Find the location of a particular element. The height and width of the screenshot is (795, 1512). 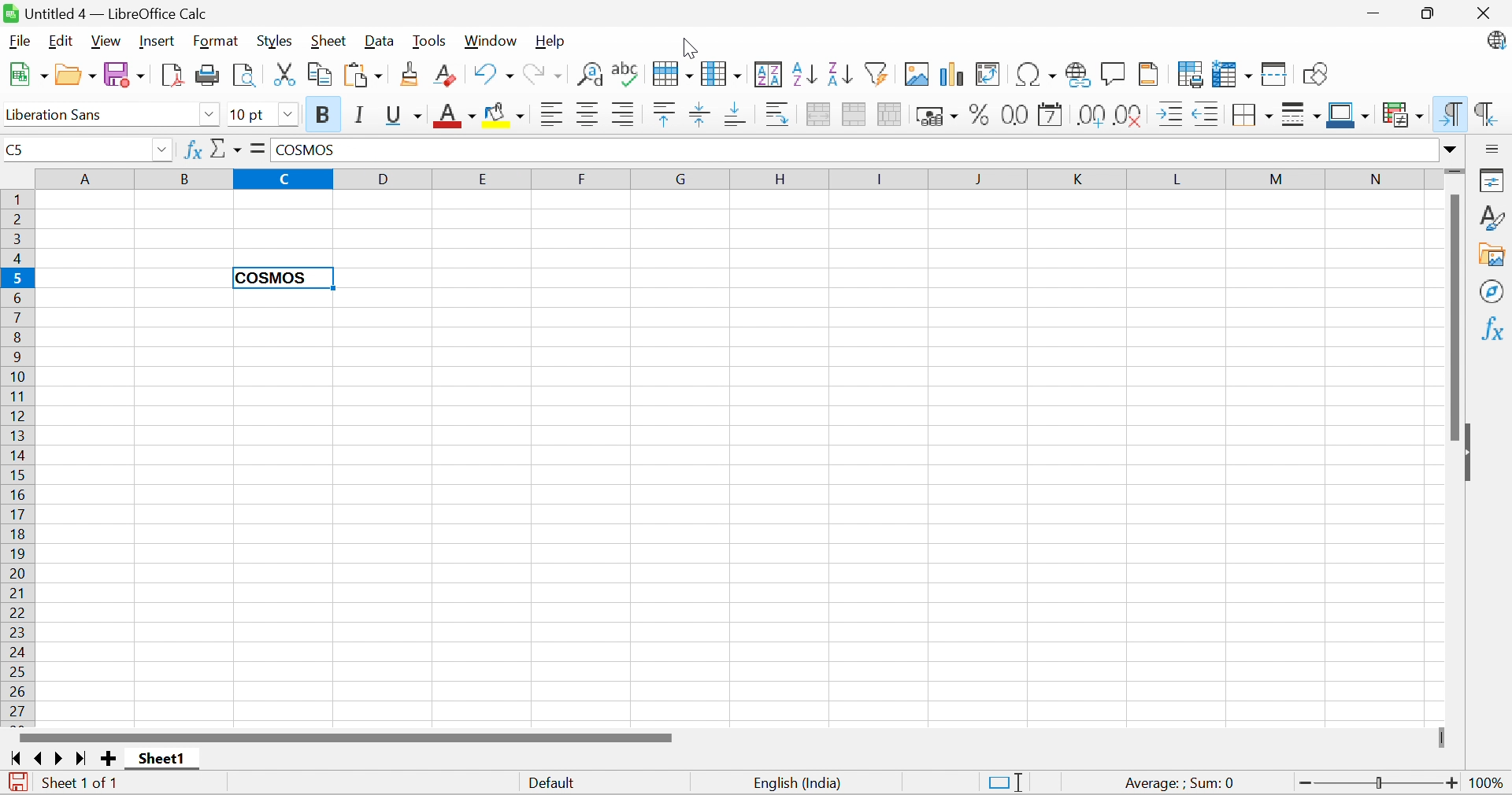

Drop Down is located at coordinates (206, 113).